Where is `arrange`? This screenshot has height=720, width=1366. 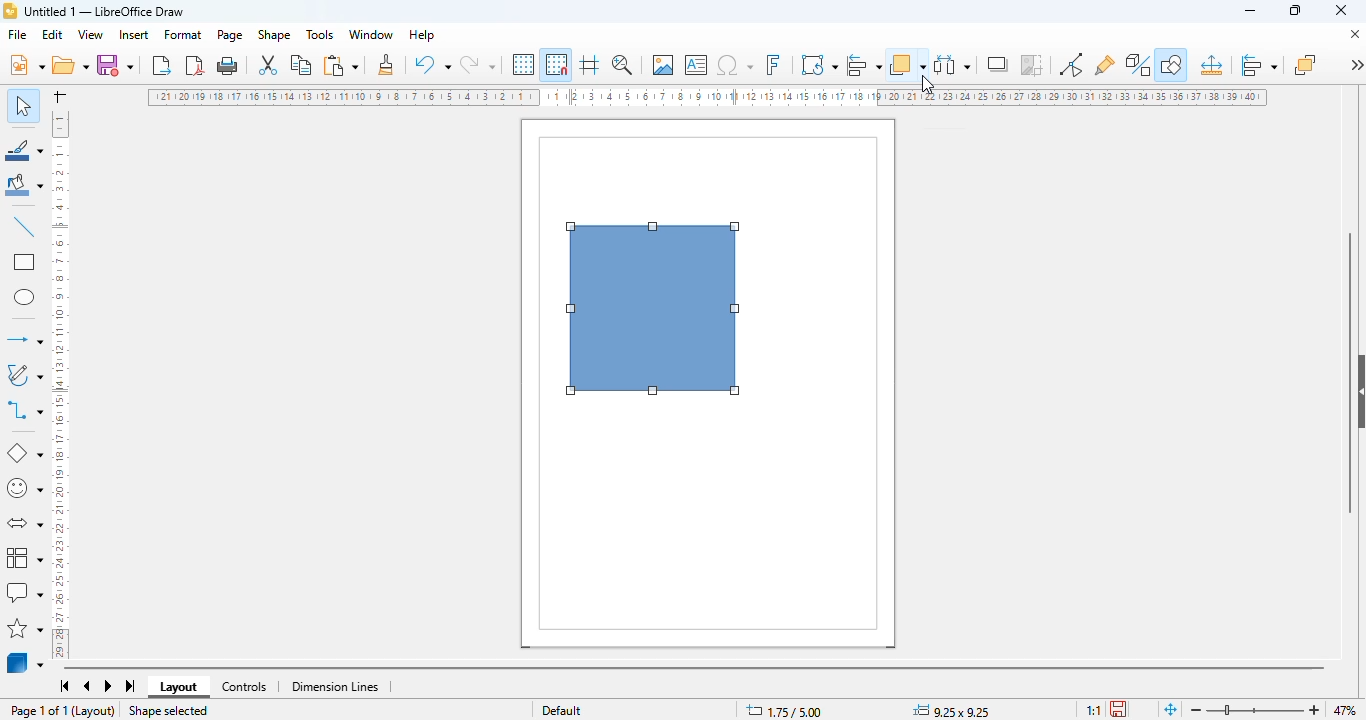
arrange is located at coordinates (908, 64).